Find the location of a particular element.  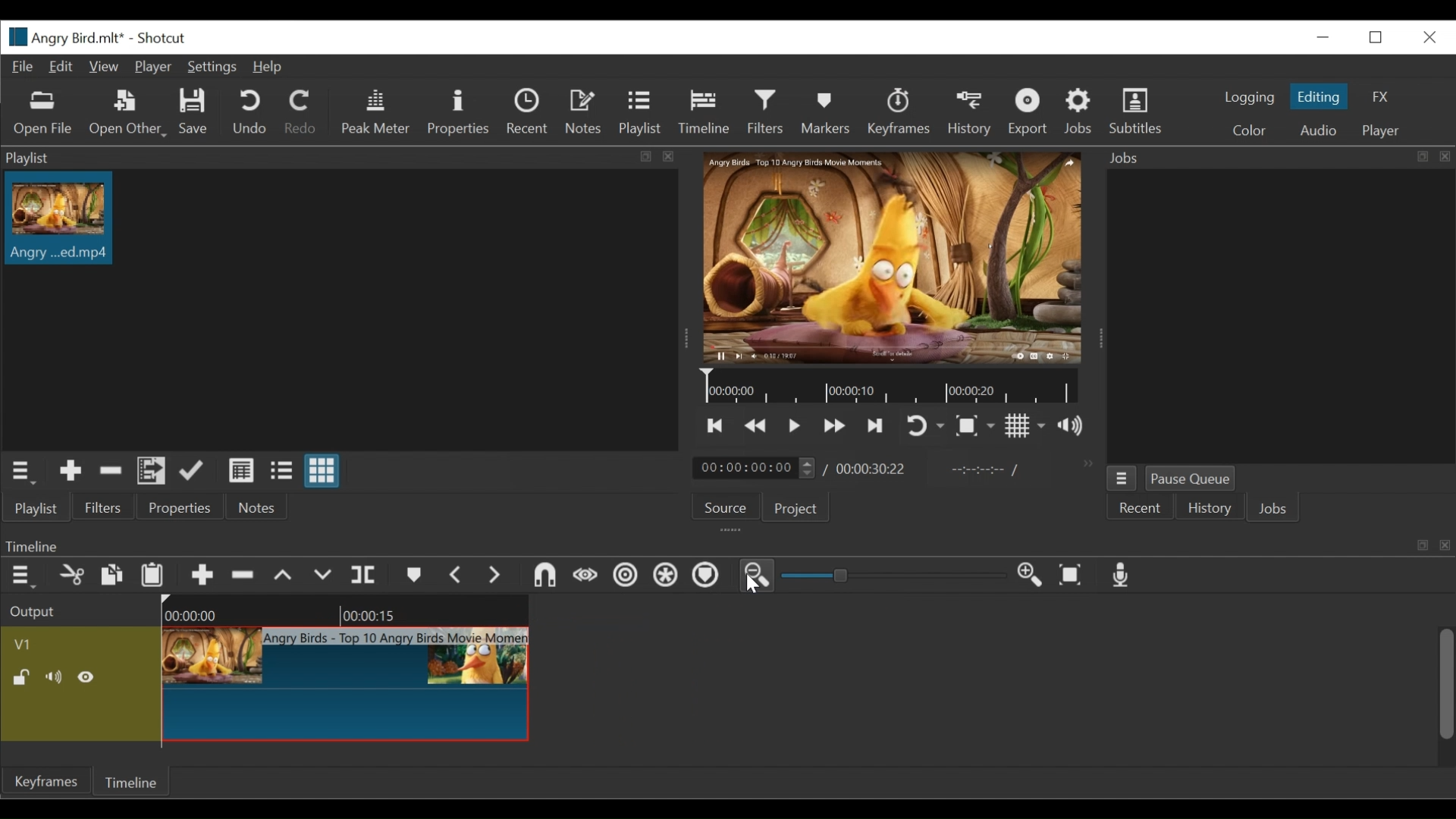

Jobs is located at coordinates (1273, 510).